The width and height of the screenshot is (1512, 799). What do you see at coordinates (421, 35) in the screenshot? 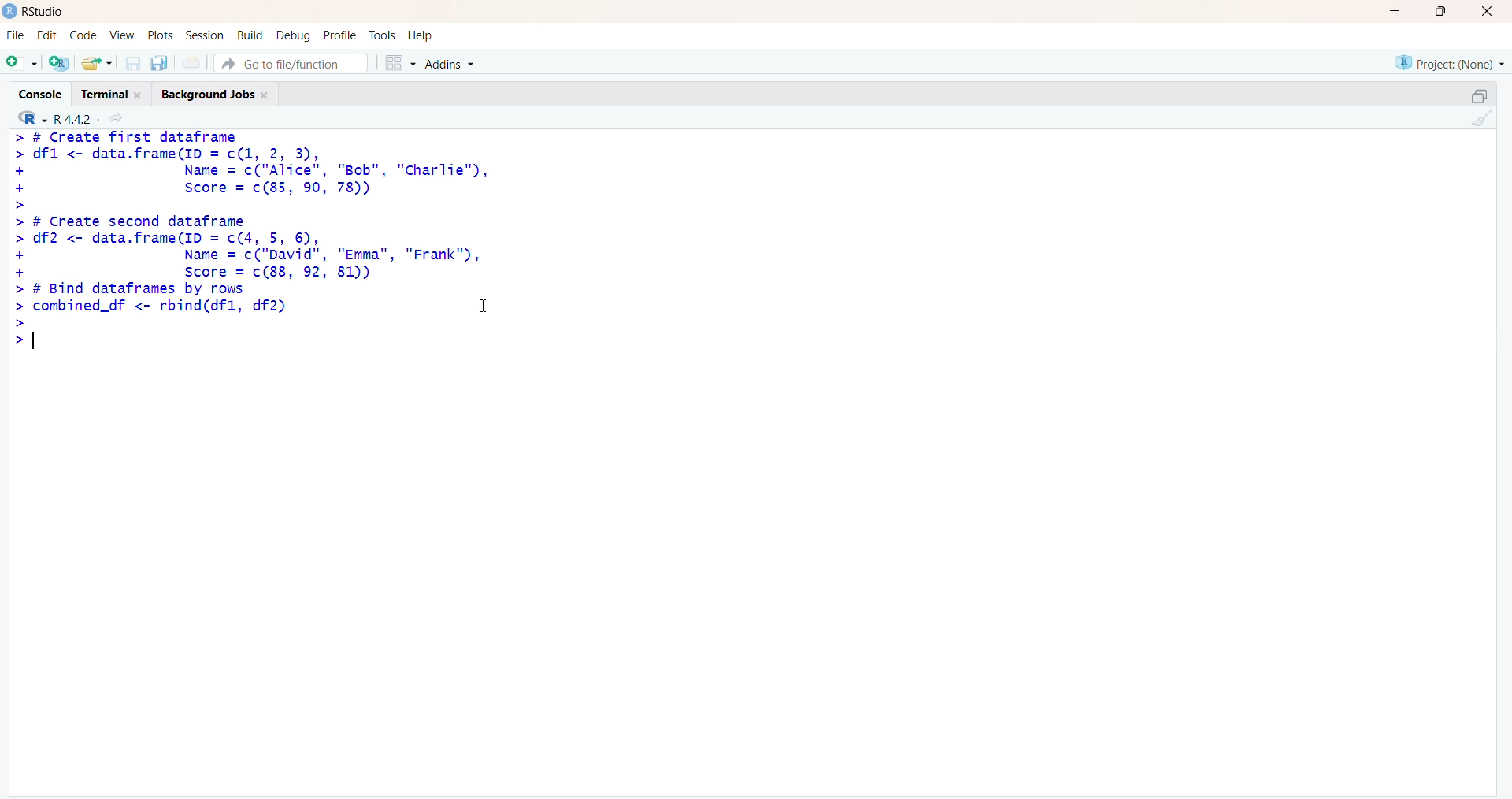
I see `Help` at bounding box center [421, 35].